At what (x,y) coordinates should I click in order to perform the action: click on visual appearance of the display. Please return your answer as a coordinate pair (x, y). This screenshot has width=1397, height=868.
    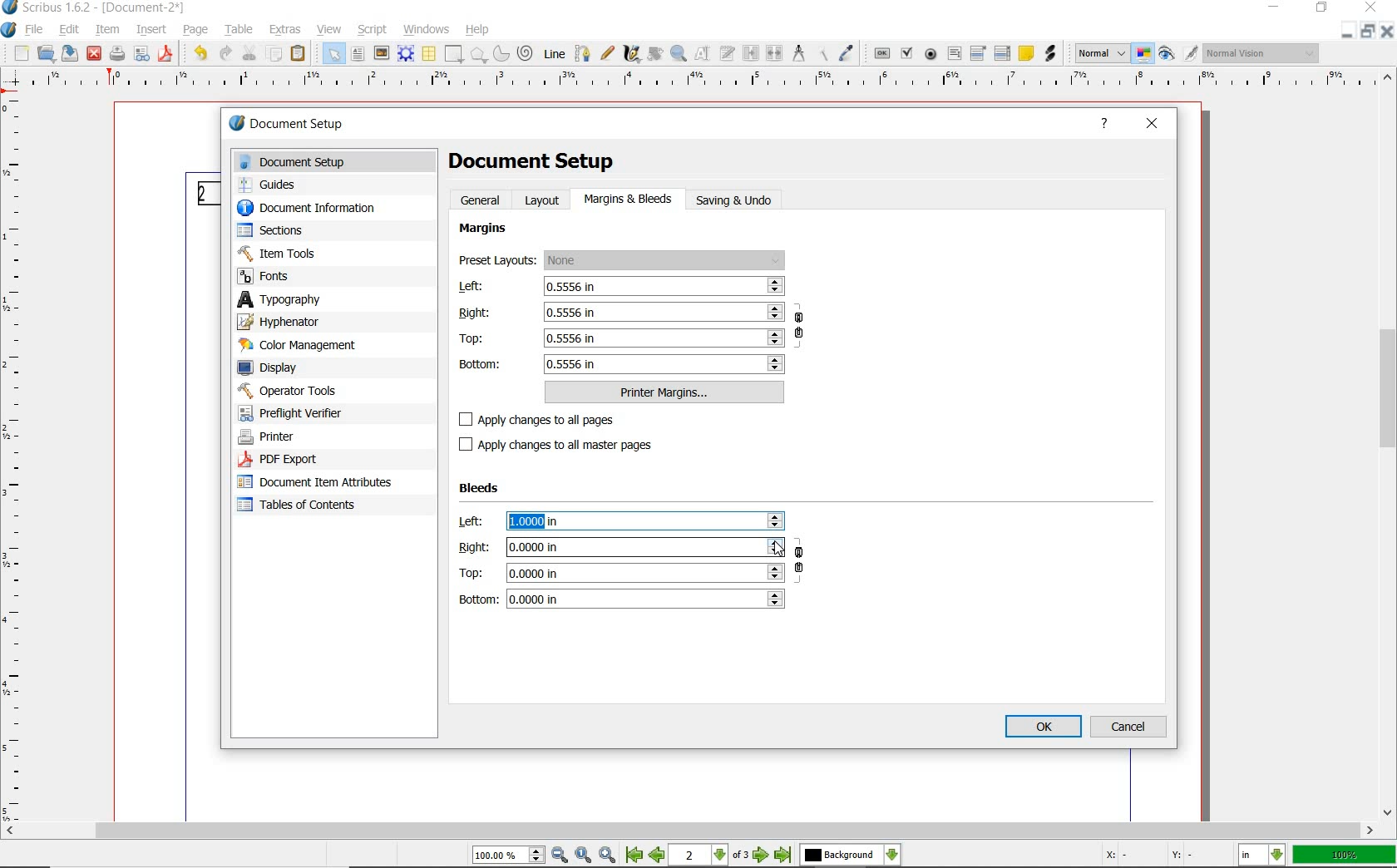
    Looking at the image, I should click on (1263, 53).